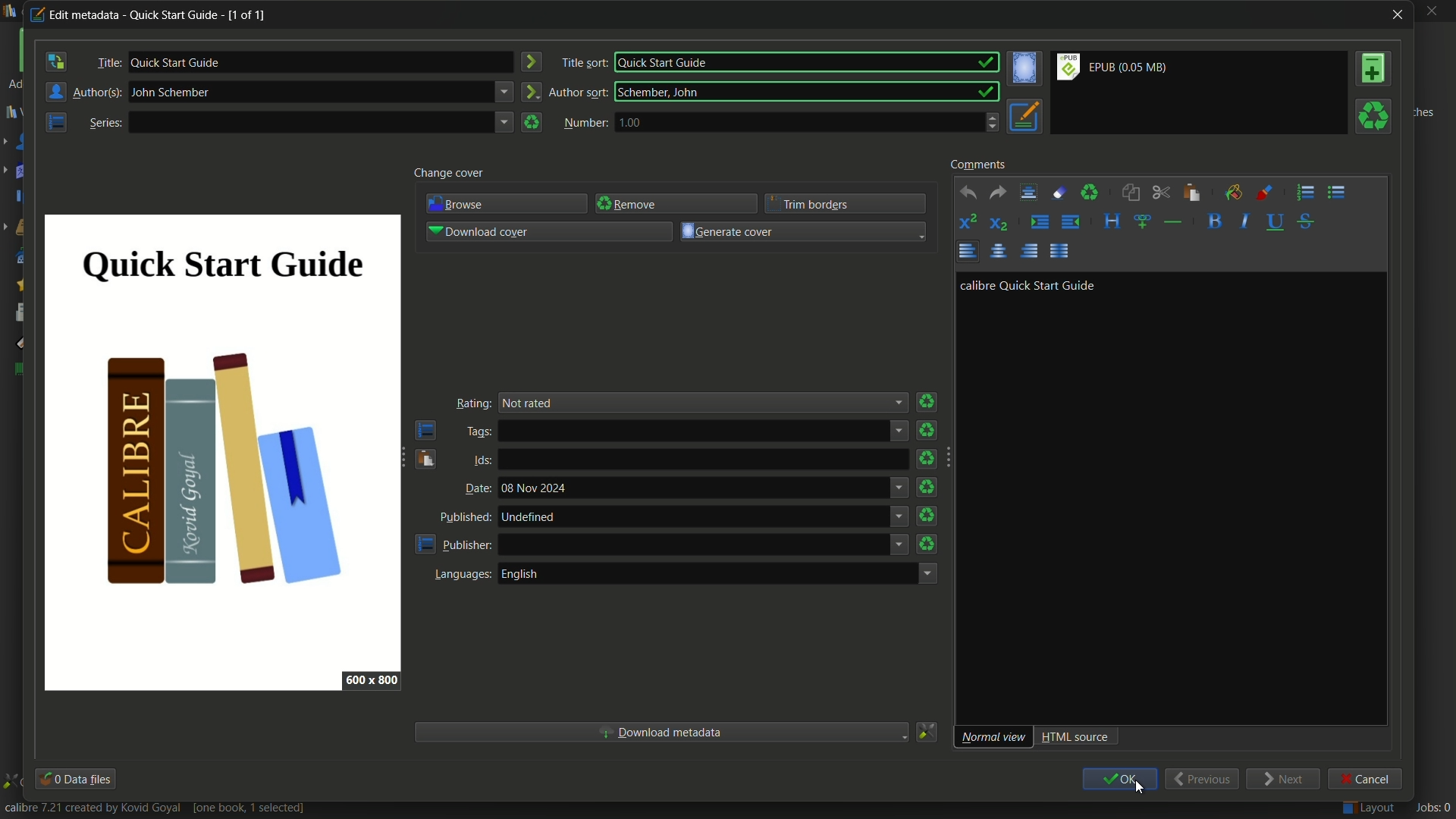 The height and width of the screenshot is (819, 1456). I want to click on unordered list, so click(1338, 193).